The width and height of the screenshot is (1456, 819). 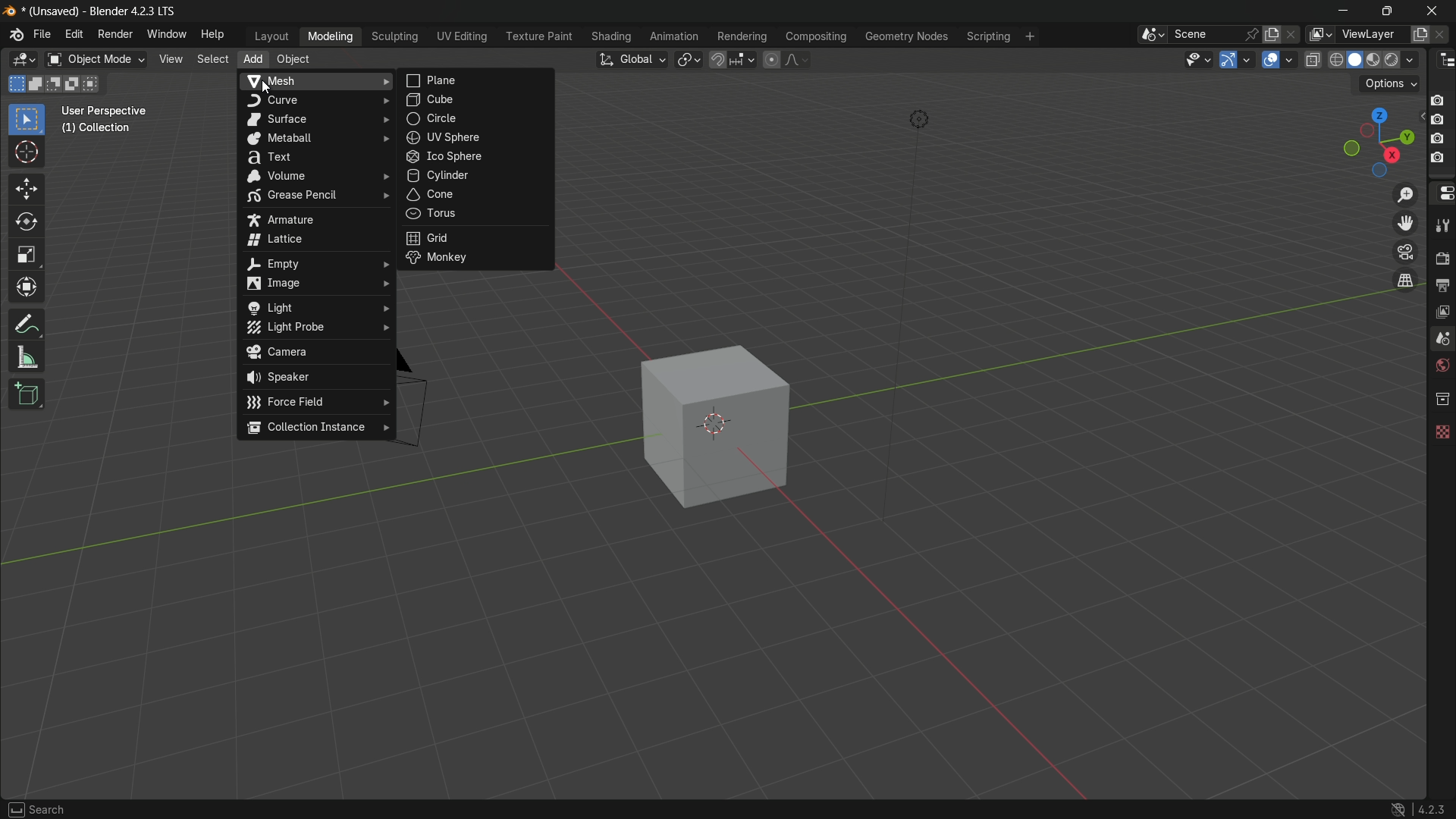 What do you see at coordinates (20, 60) in the screenshot?
I see `3d viewport` at bounding box center [20, 60].